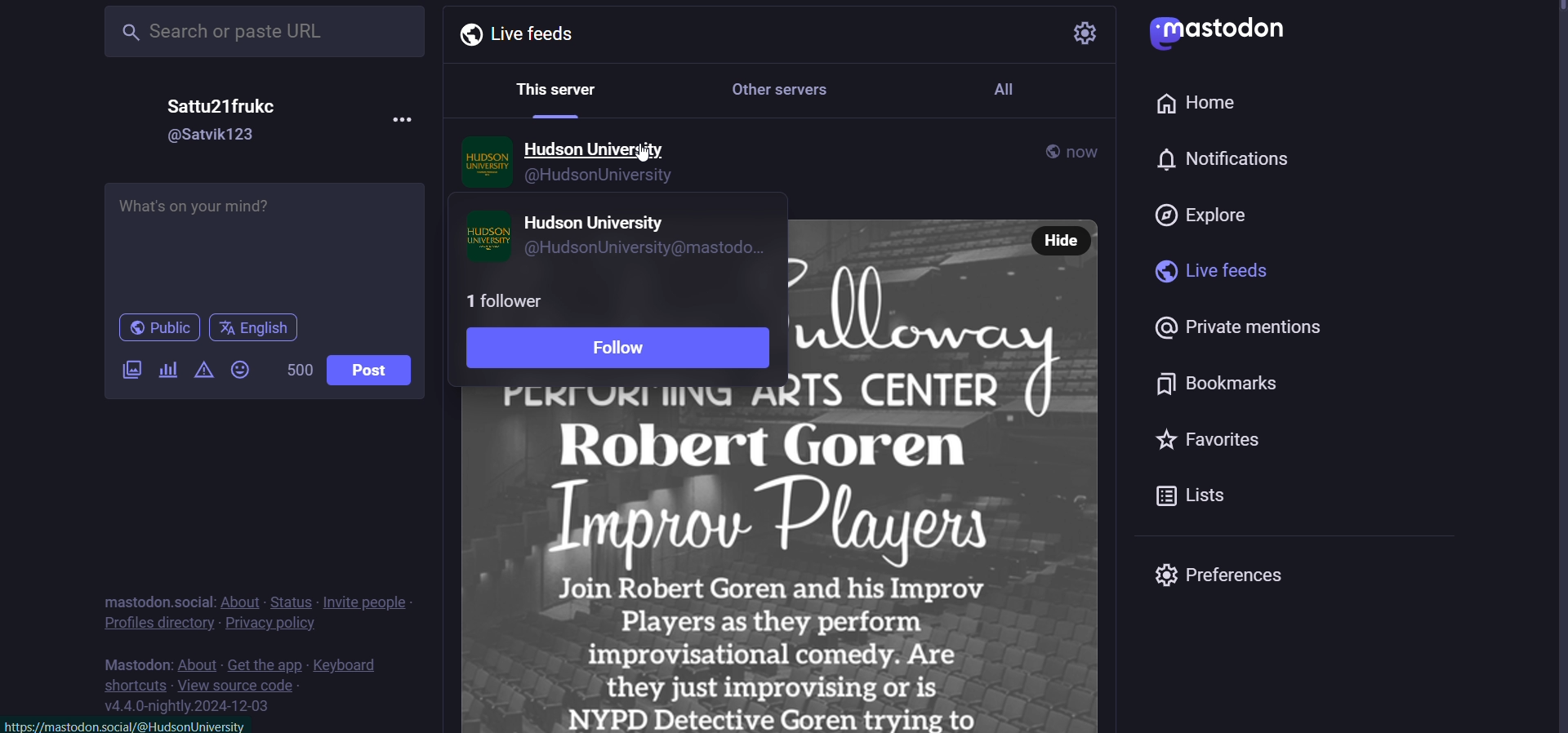 This screenshot has height=733, width=1568. Describe the element at coordinates (640, 158) in the screenshot. I see `cursor` at that location.